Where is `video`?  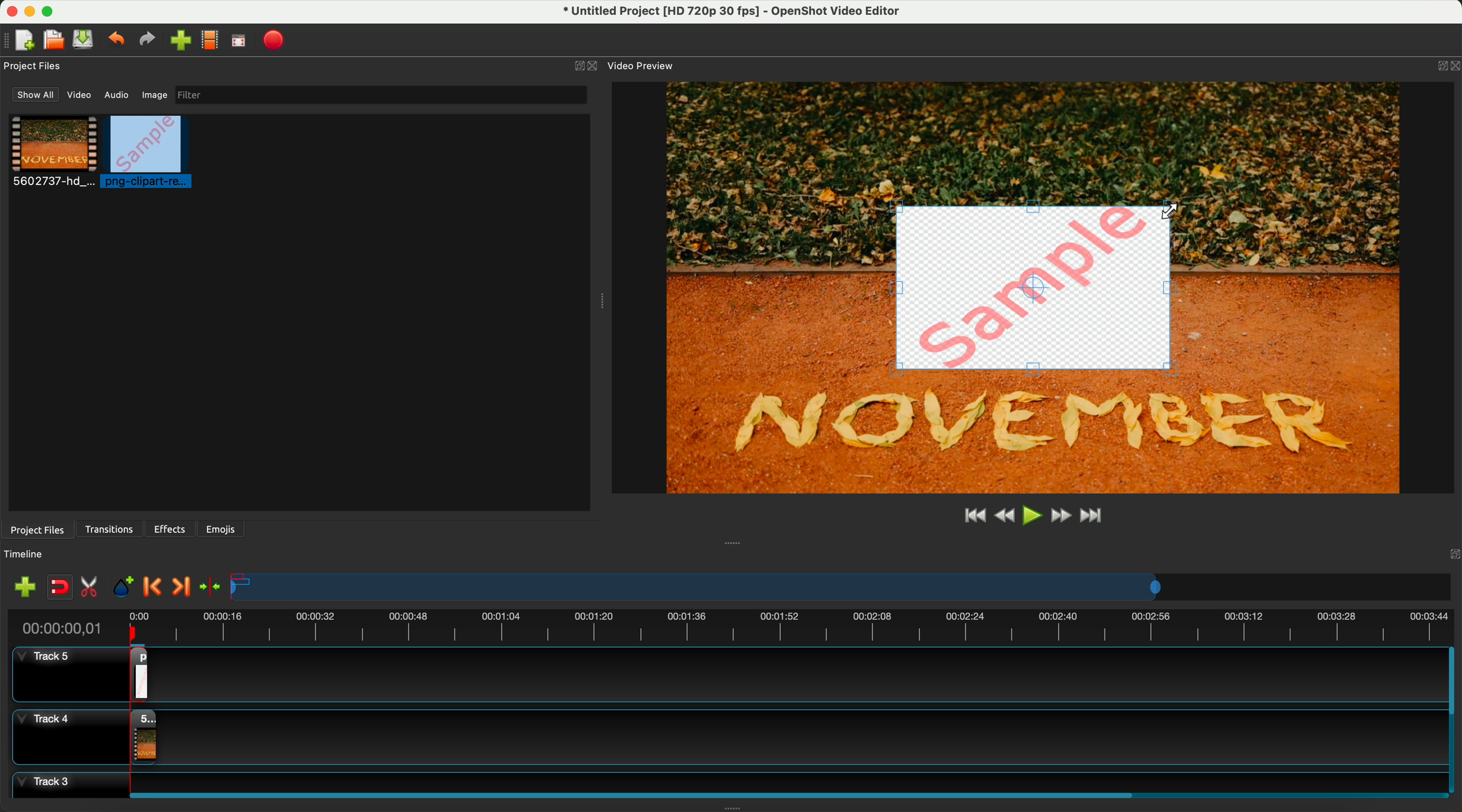 video is located at coordinates (81, 97).